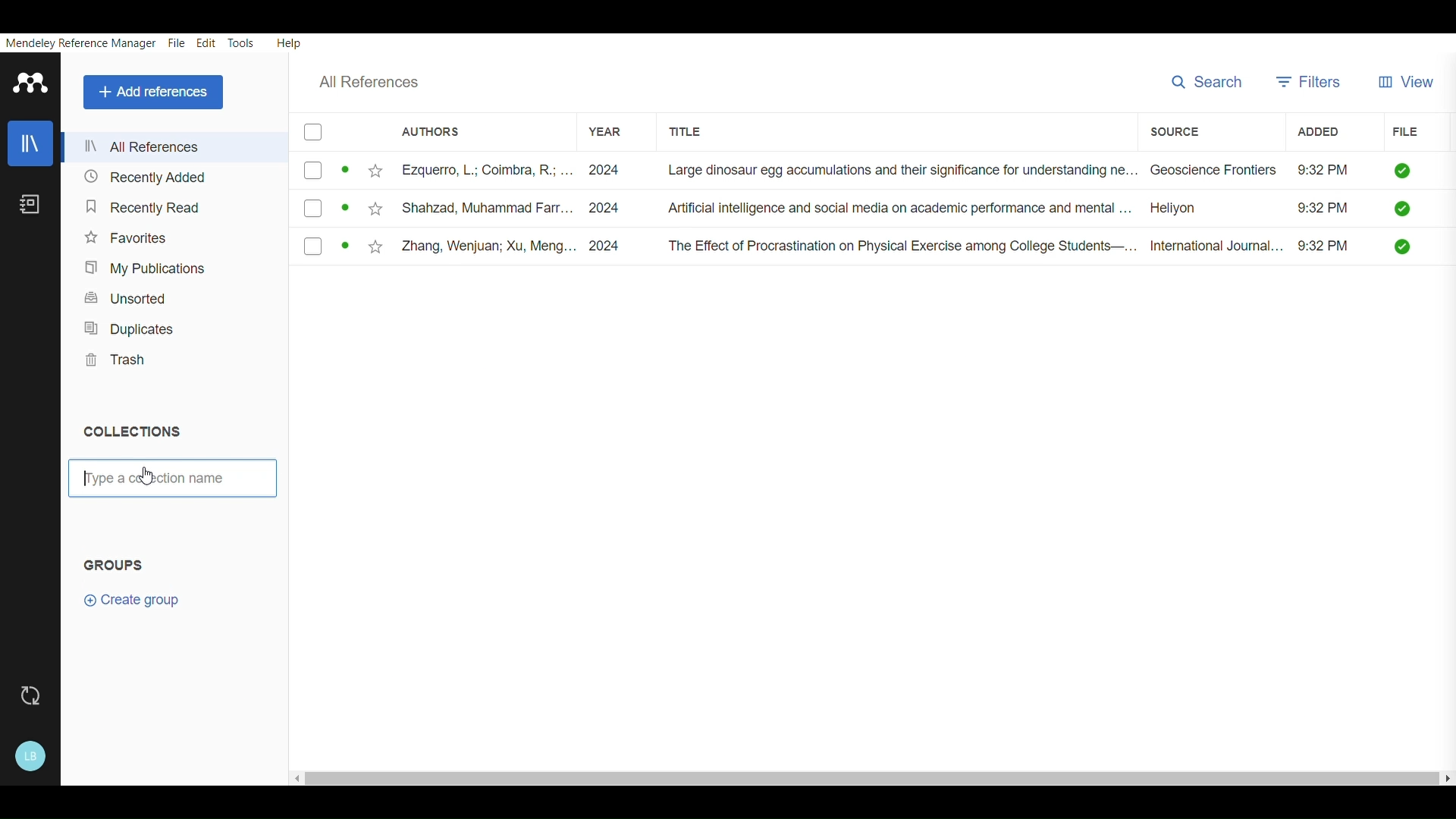 Image resolution: width=1456 pixels, height=819 pixels. I want to click on FILE, so click(1404, 133).